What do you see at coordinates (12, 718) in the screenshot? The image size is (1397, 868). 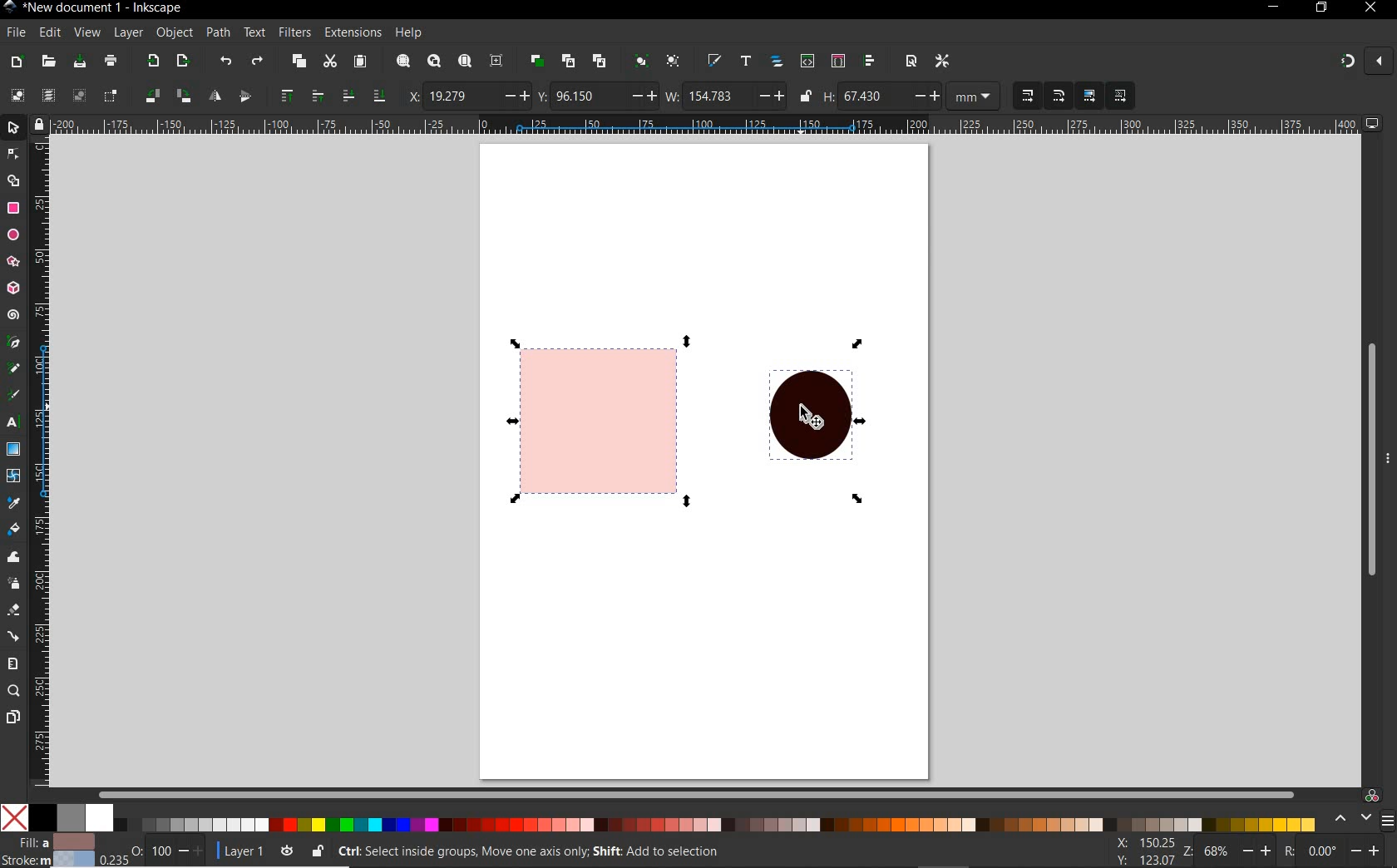 I see `page tool` at bounding box center [12, 718].